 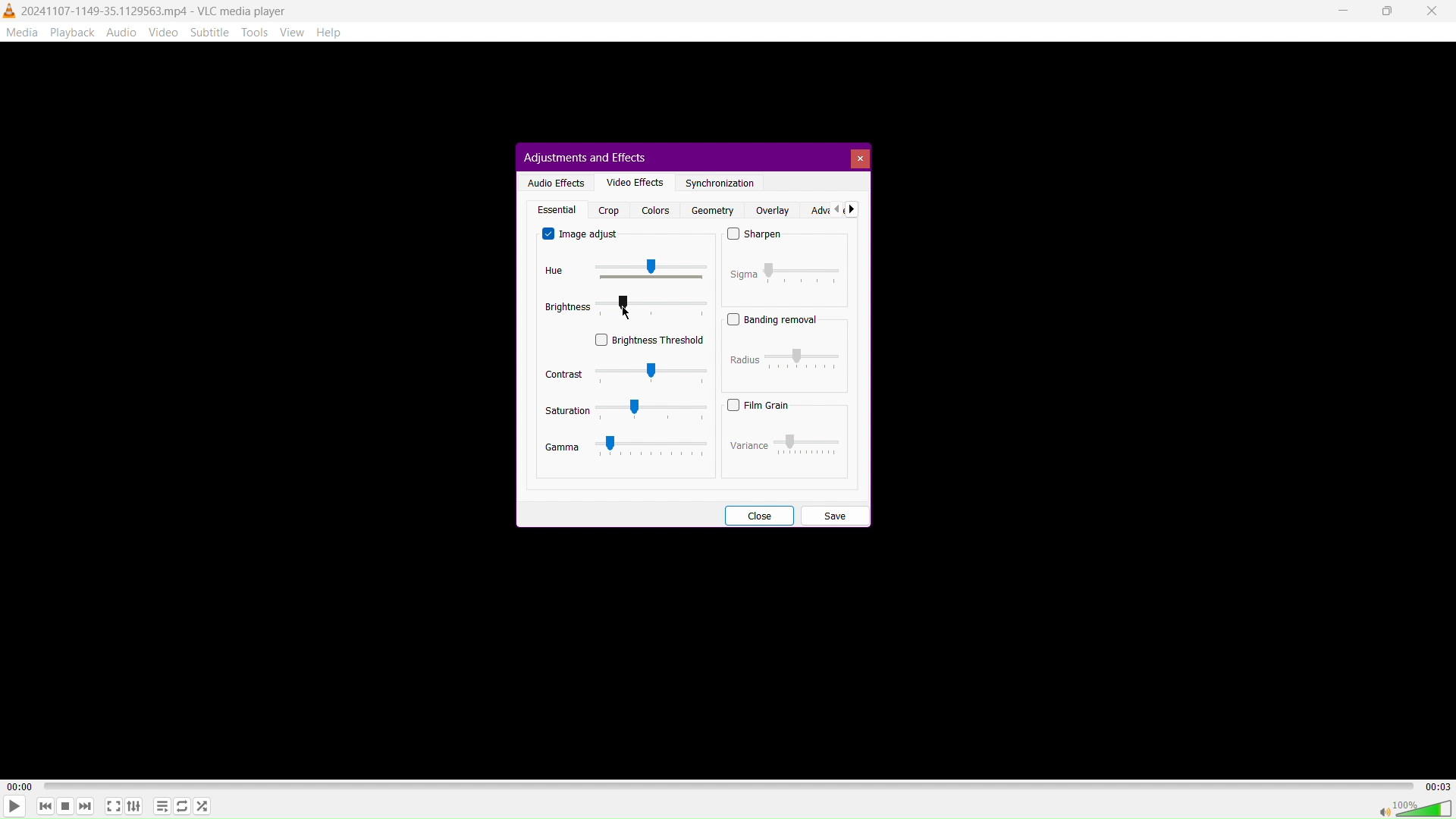 I want to click on Film Grain, so click(x=758, y=405).